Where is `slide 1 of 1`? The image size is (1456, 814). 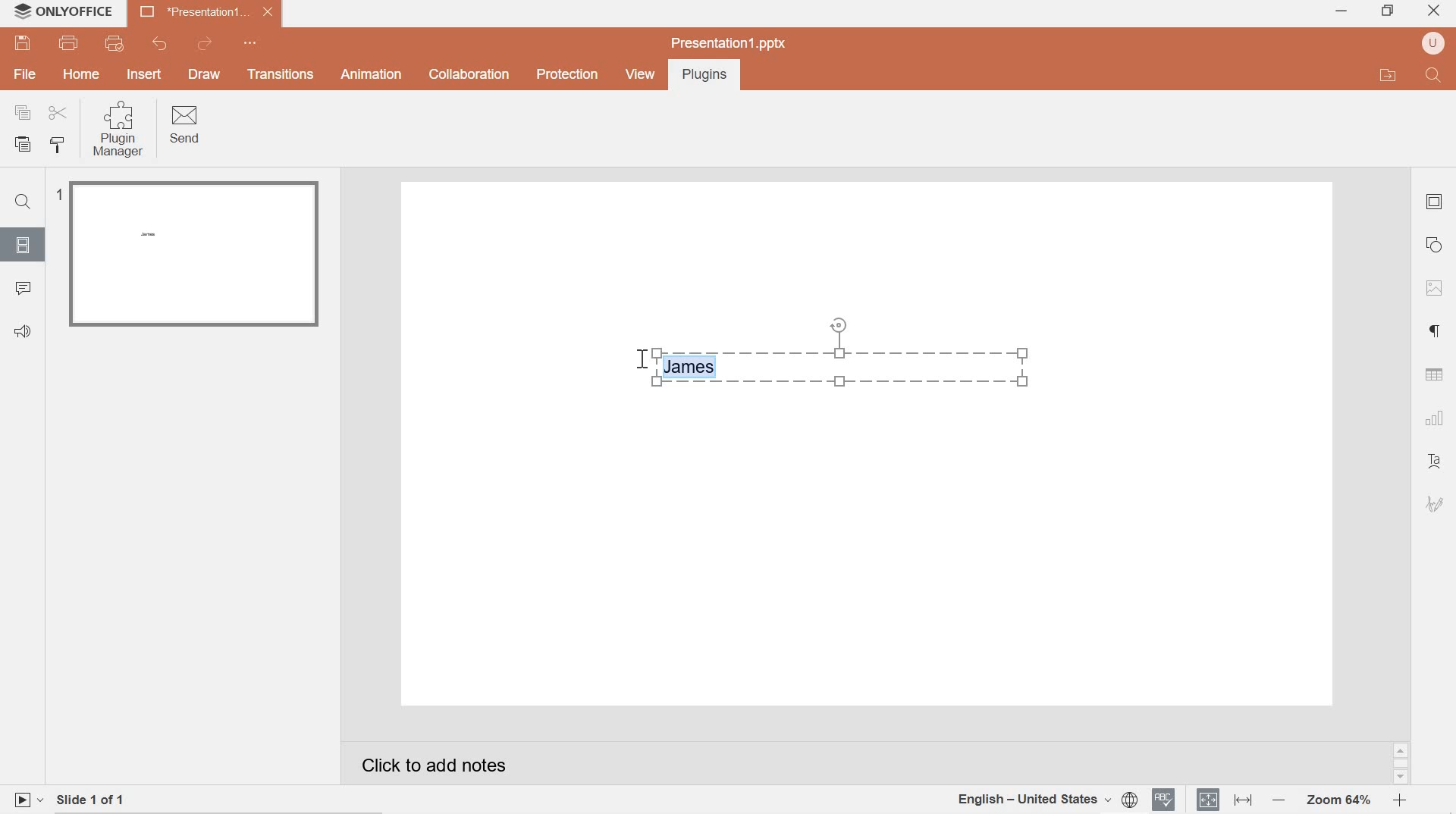
slide 1 of 1 is located at coordinates (104, 797).